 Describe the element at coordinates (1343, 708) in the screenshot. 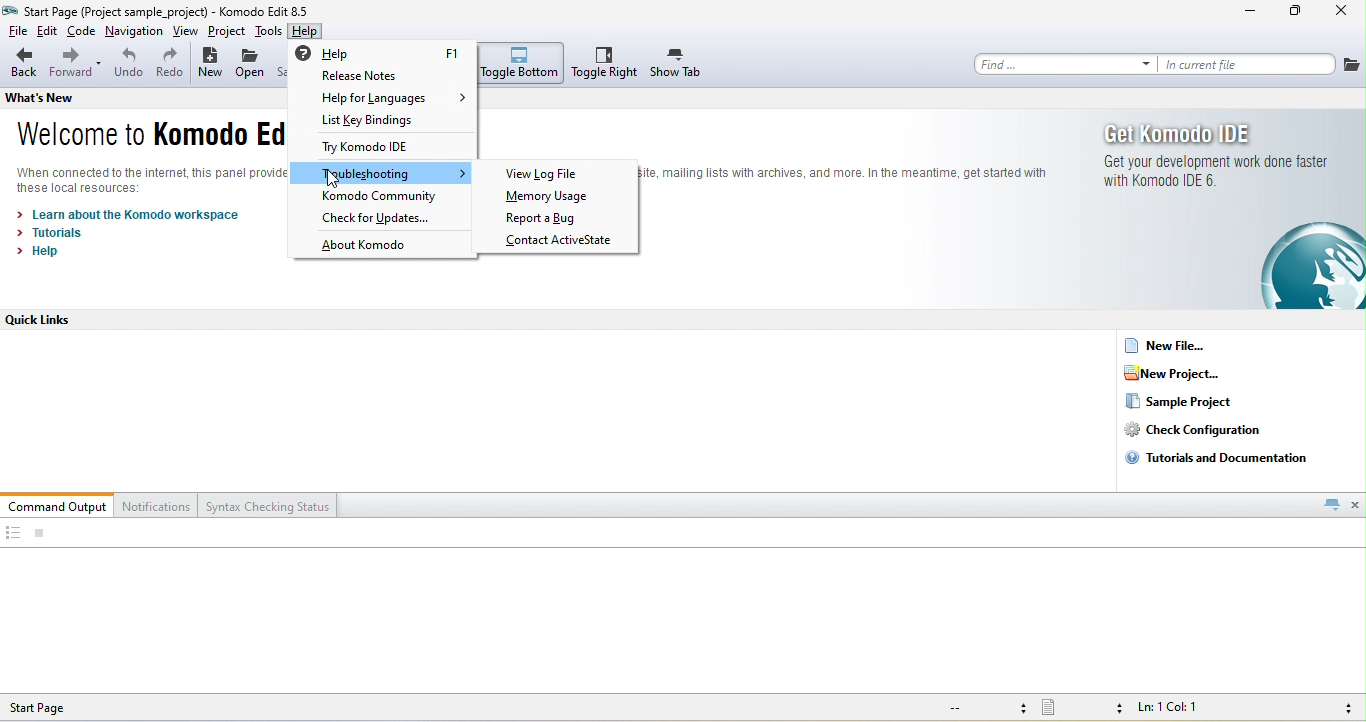

I see `syntax checking` at that location.